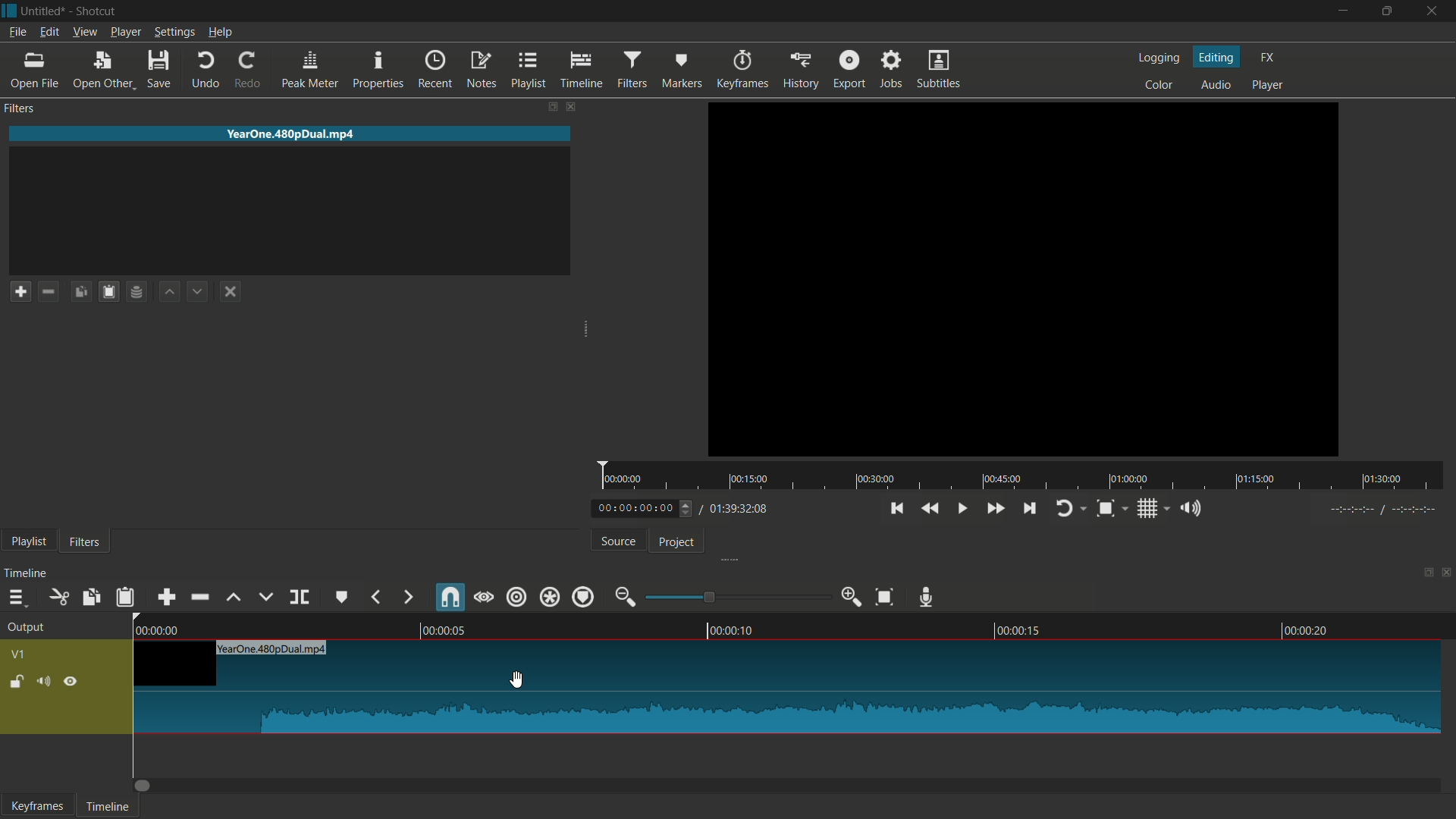  Describe the element at coordinates (127, 33) in the screenshot. I see `player menu` at that location.